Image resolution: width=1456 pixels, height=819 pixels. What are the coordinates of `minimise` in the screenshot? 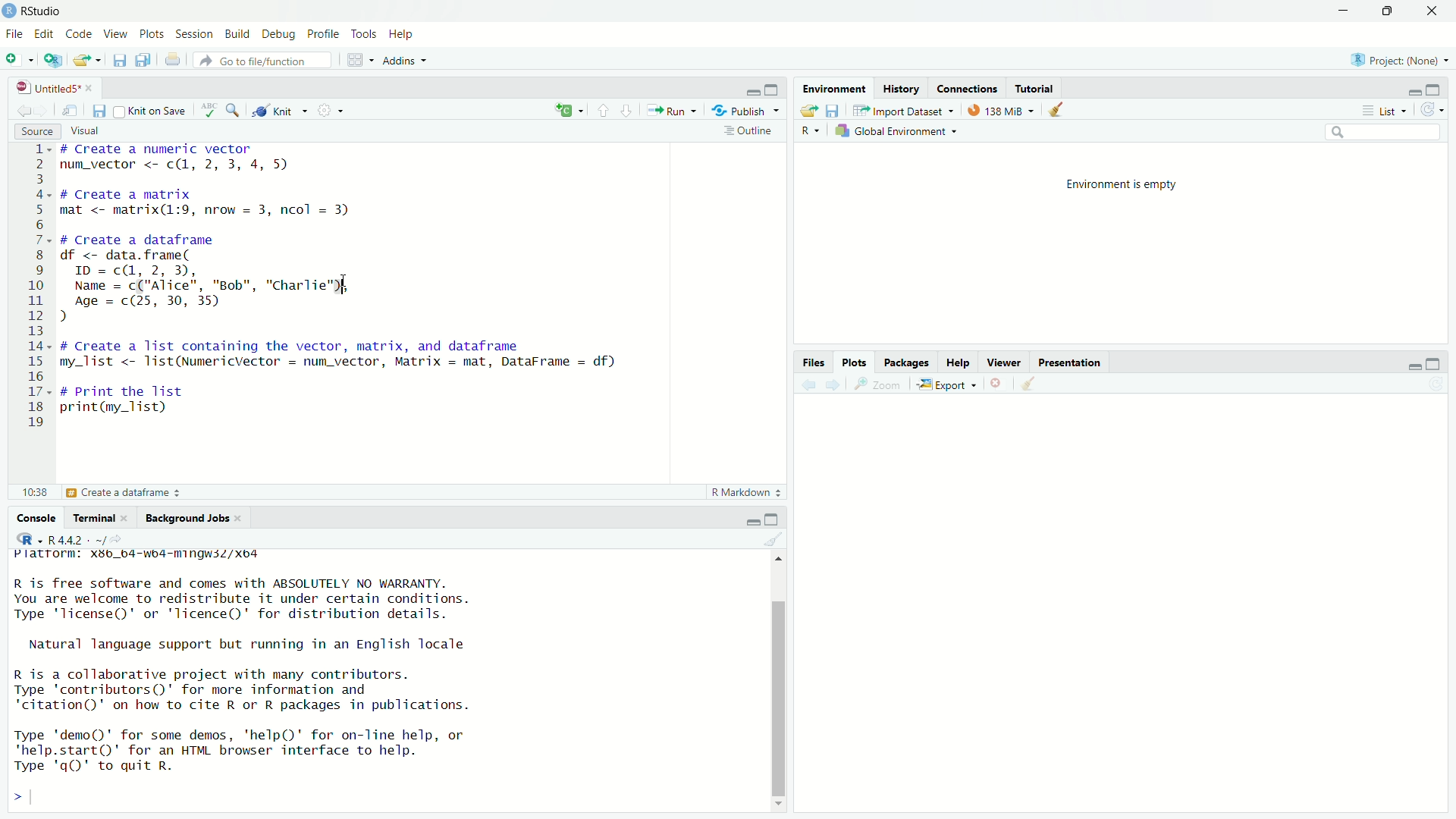 It's located at (751, 519).